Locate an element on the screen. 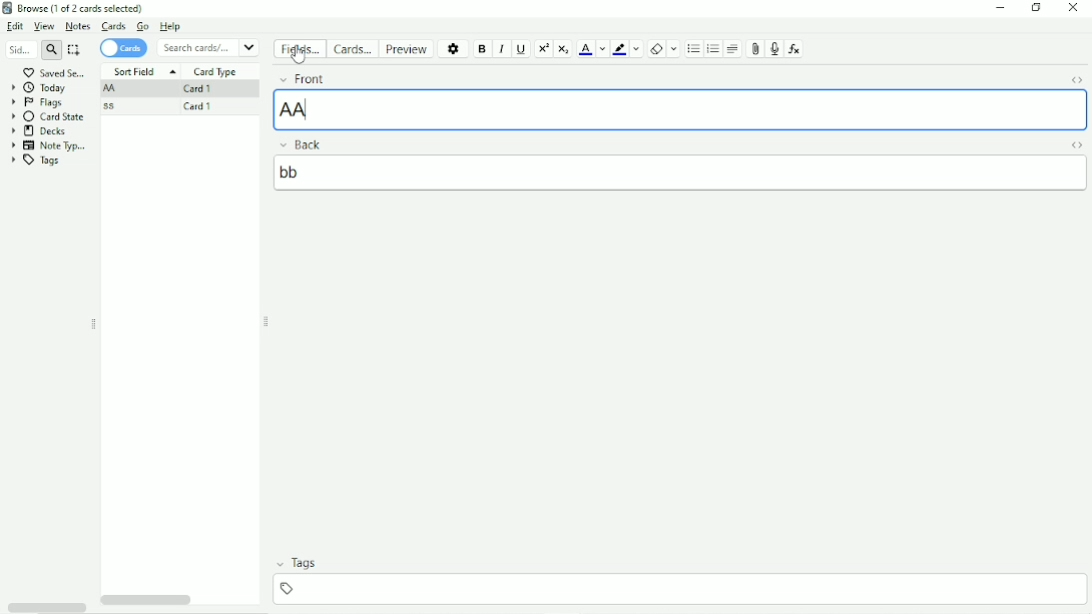  Resize is located at coordinates (93, 324).